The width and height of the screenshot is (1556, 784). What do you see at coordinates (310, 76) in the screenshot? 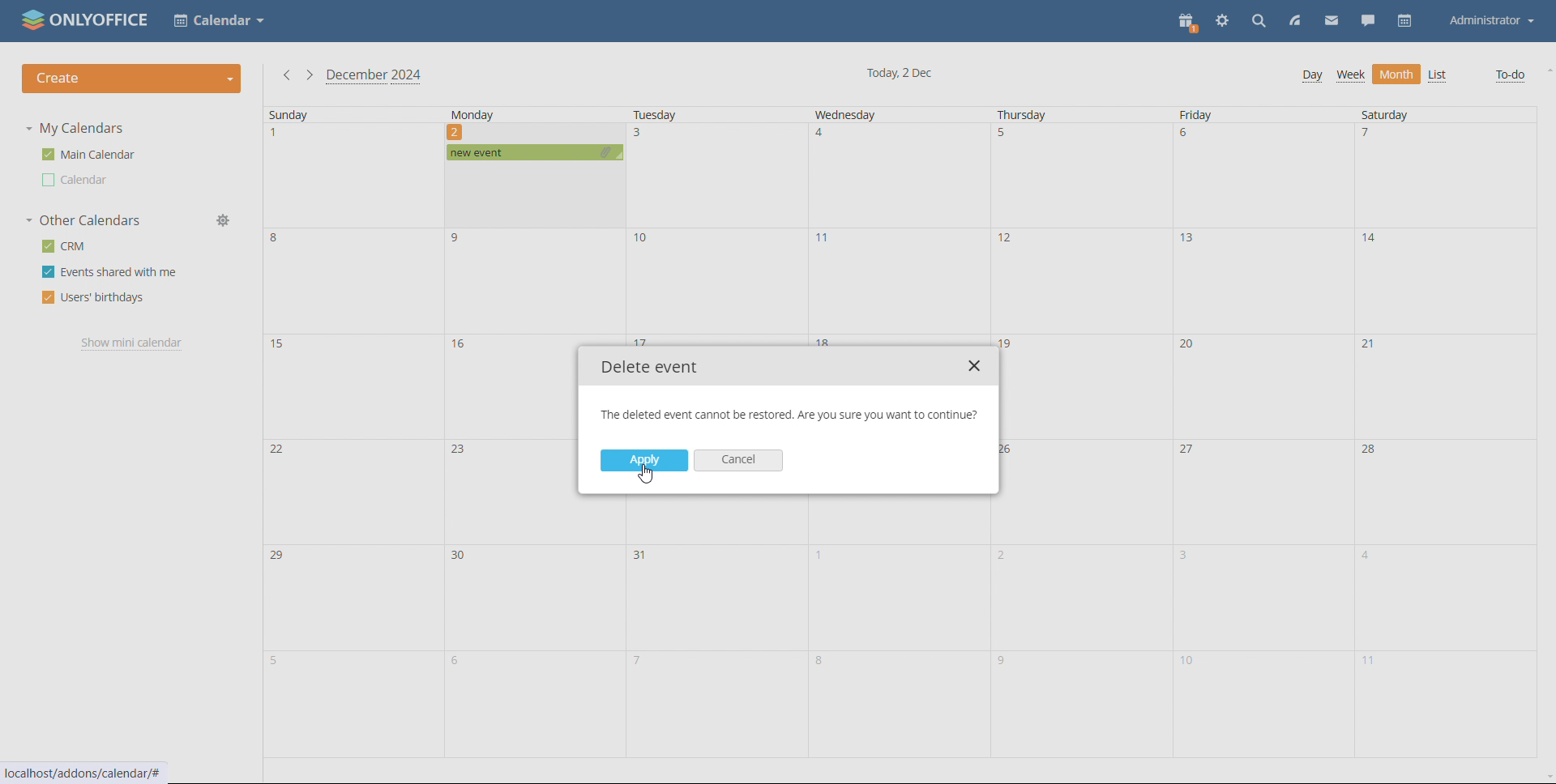
I see `next month` at bounding box center [310, 76].